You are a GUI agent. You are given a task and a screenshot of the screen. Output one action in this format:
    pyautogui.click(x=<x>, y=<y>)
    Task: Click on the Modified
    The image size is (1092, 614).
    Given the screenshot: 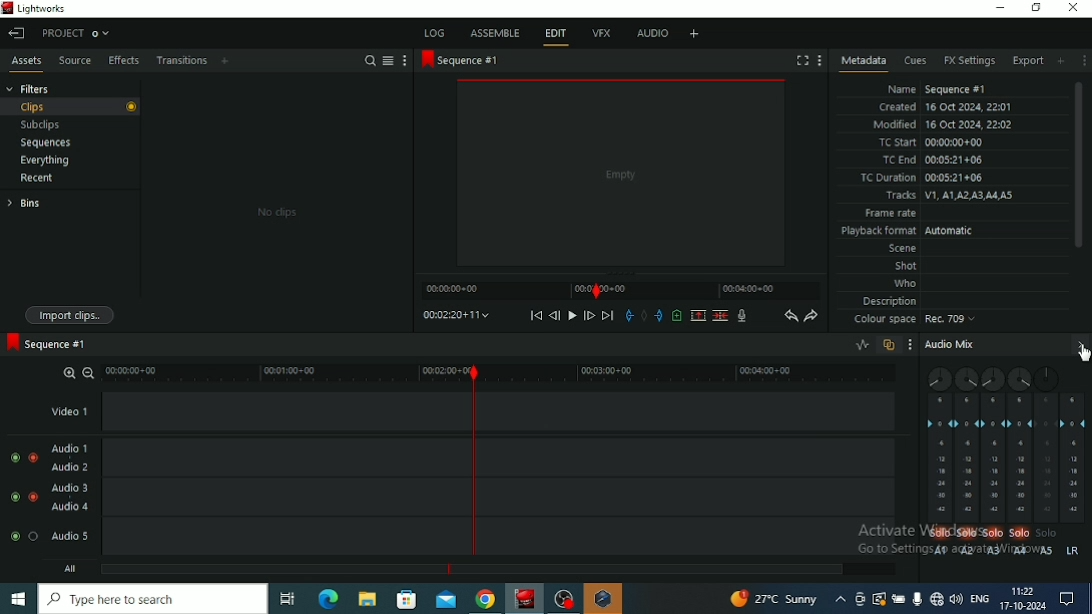 What is the action you would take?
    pyautogui.click(x=943, y=124)
    